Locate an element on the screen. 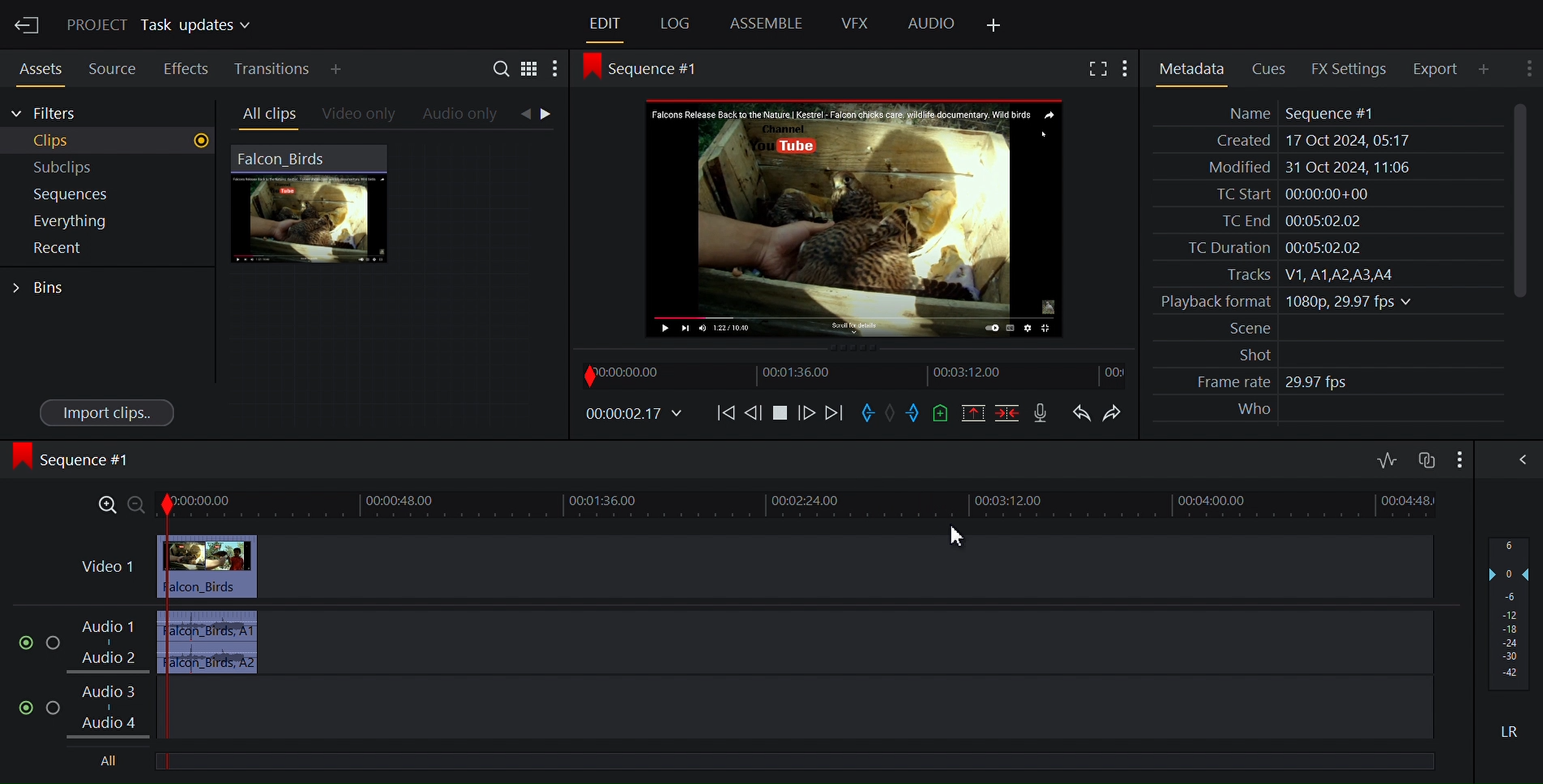 The height and width of the screenshot is (784, 1543). Zoom out is located at coordinates (138, 505).